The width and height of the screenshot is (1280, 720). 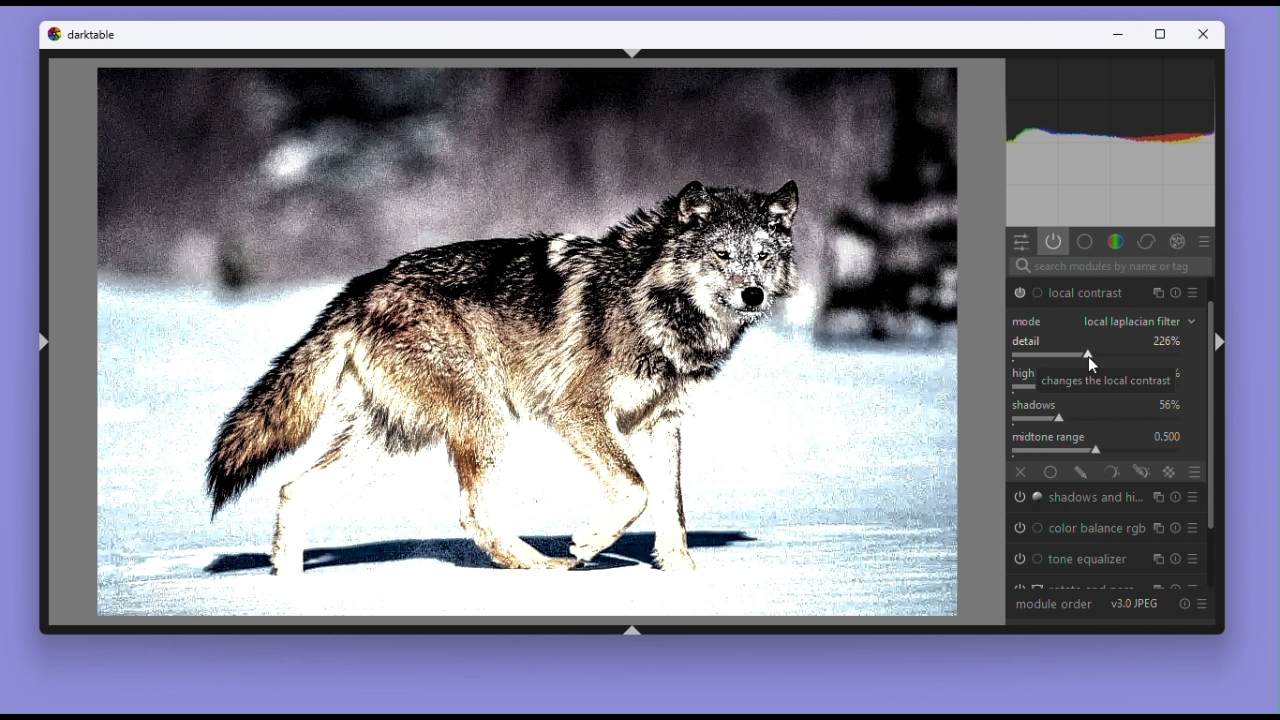 I want to click on 'tone equalizer' is switched on, so click(x=1029, y=560).